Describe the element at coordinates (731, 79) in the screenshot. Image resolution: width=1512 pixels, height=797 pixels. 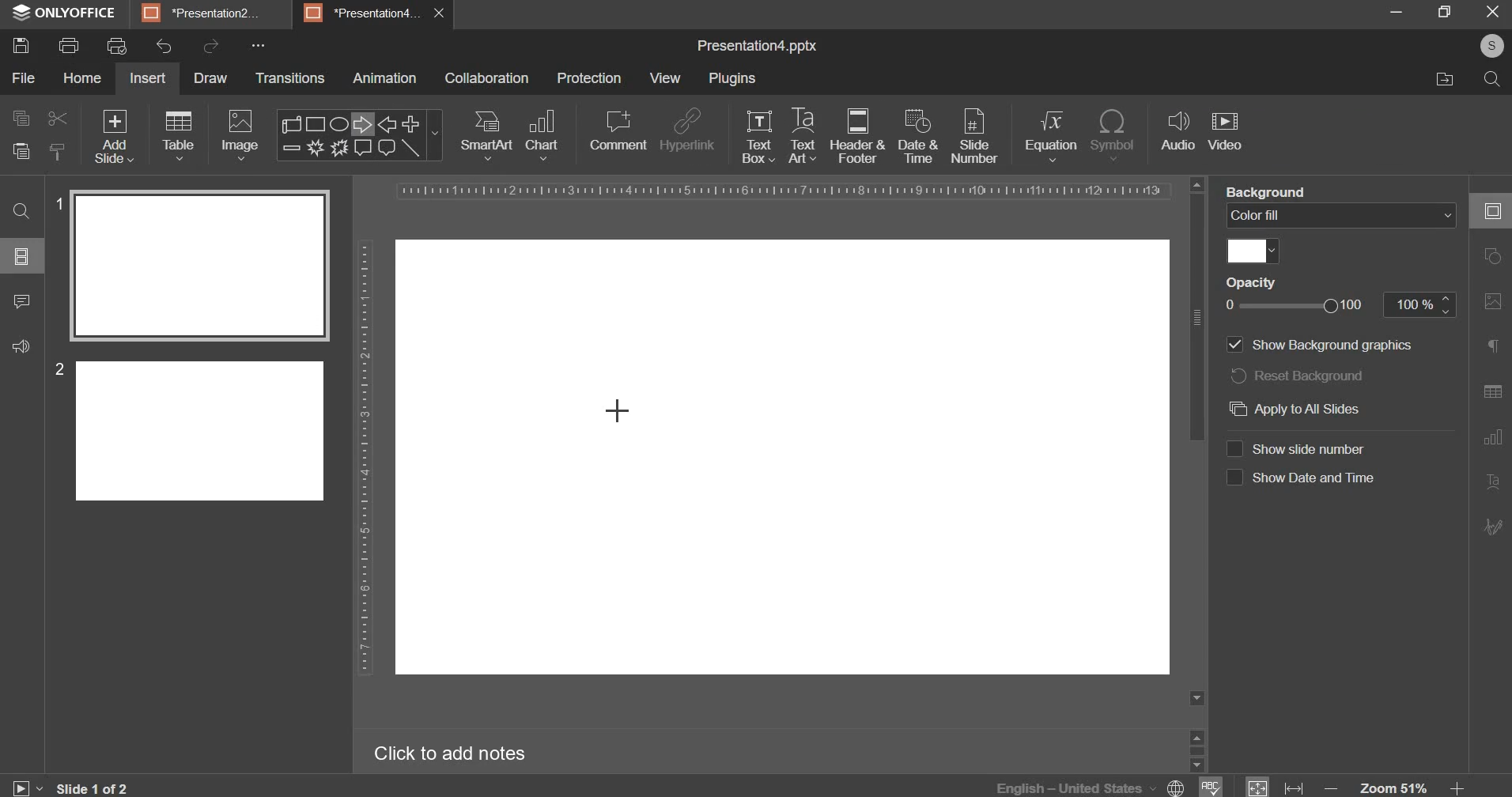
I see `plugins` at that location.